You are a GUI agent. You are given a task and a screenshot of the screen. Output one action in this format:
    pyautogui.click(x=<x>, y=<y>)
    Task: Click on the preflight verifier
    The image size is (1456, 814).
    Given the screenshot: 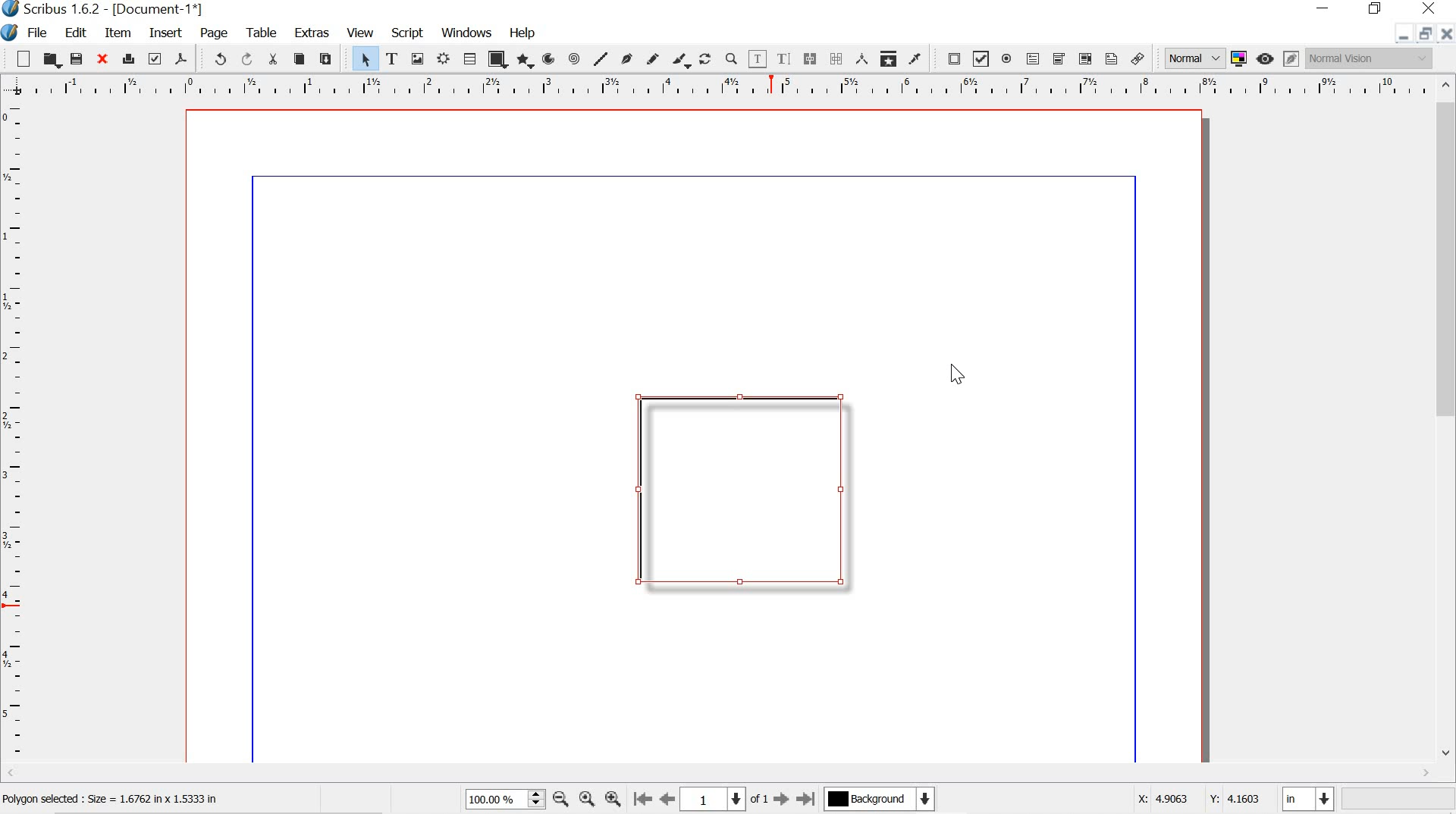 What is the action you would take?
    pyautogui.click(x=155, y=58)
    